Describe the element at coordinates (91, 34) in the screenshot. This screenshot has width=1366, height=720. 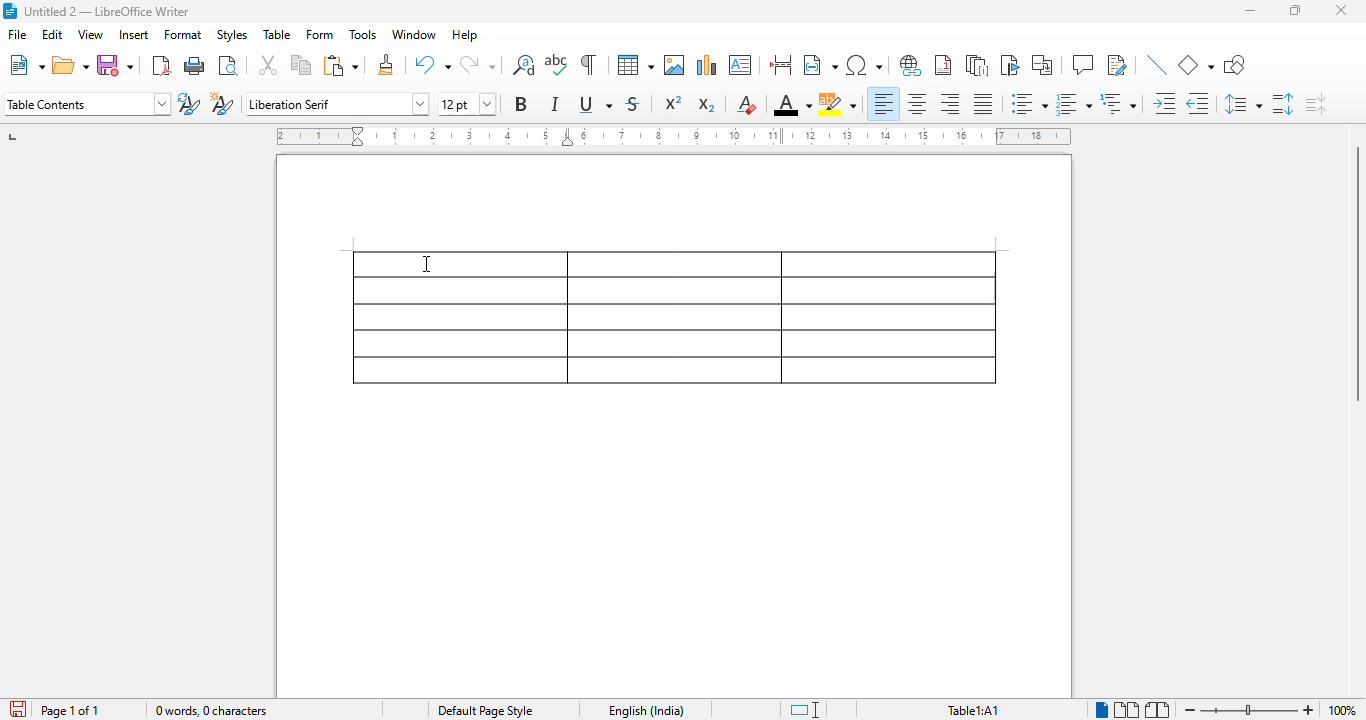
I see `view` at that location.